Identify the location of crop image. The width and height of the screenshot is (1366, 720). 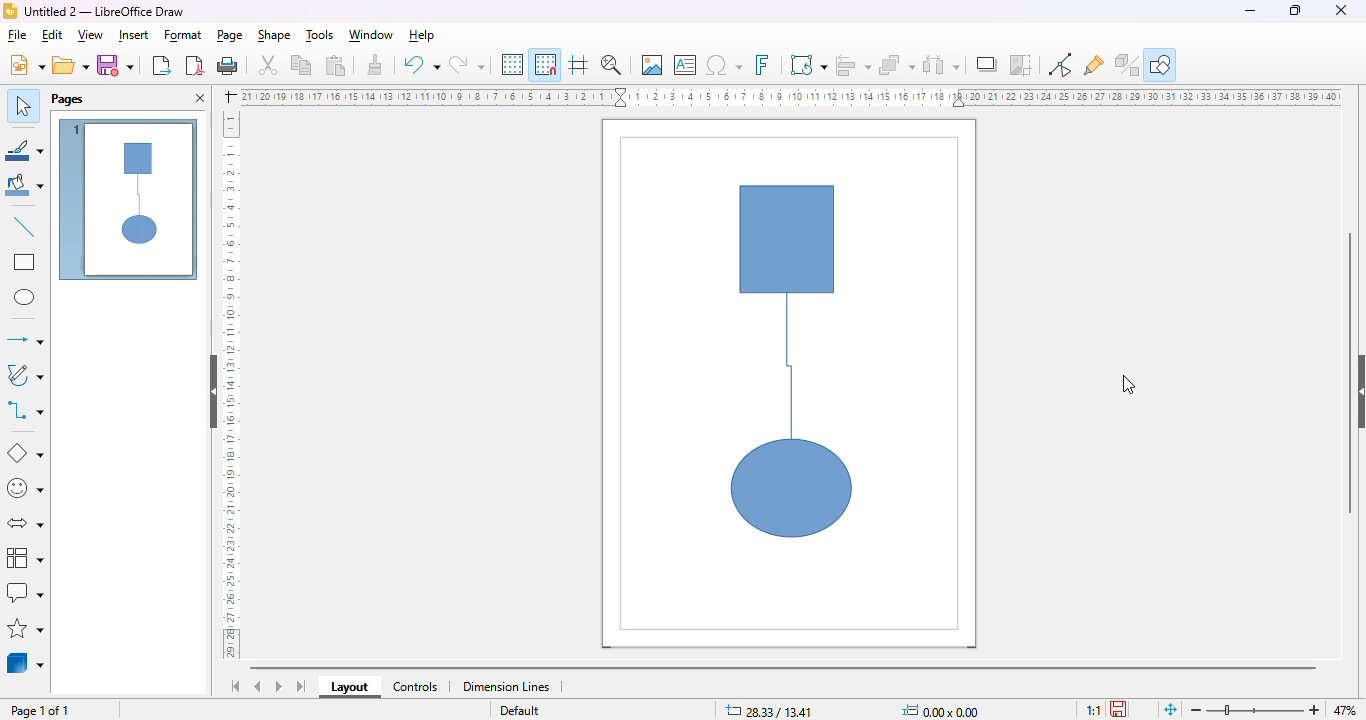
(1020, 65).